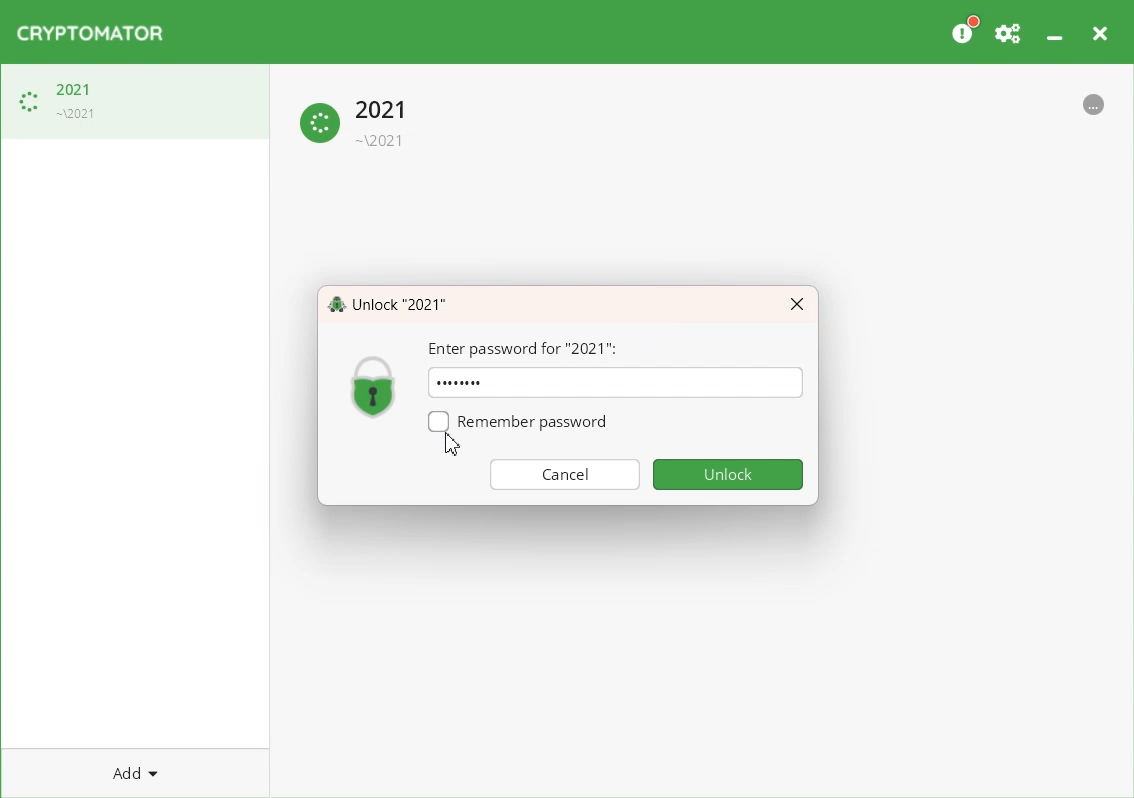  What do you see at coordinates (454, 443) in the screenshot?
I see `Cursor` at bounding box center [454, 443].